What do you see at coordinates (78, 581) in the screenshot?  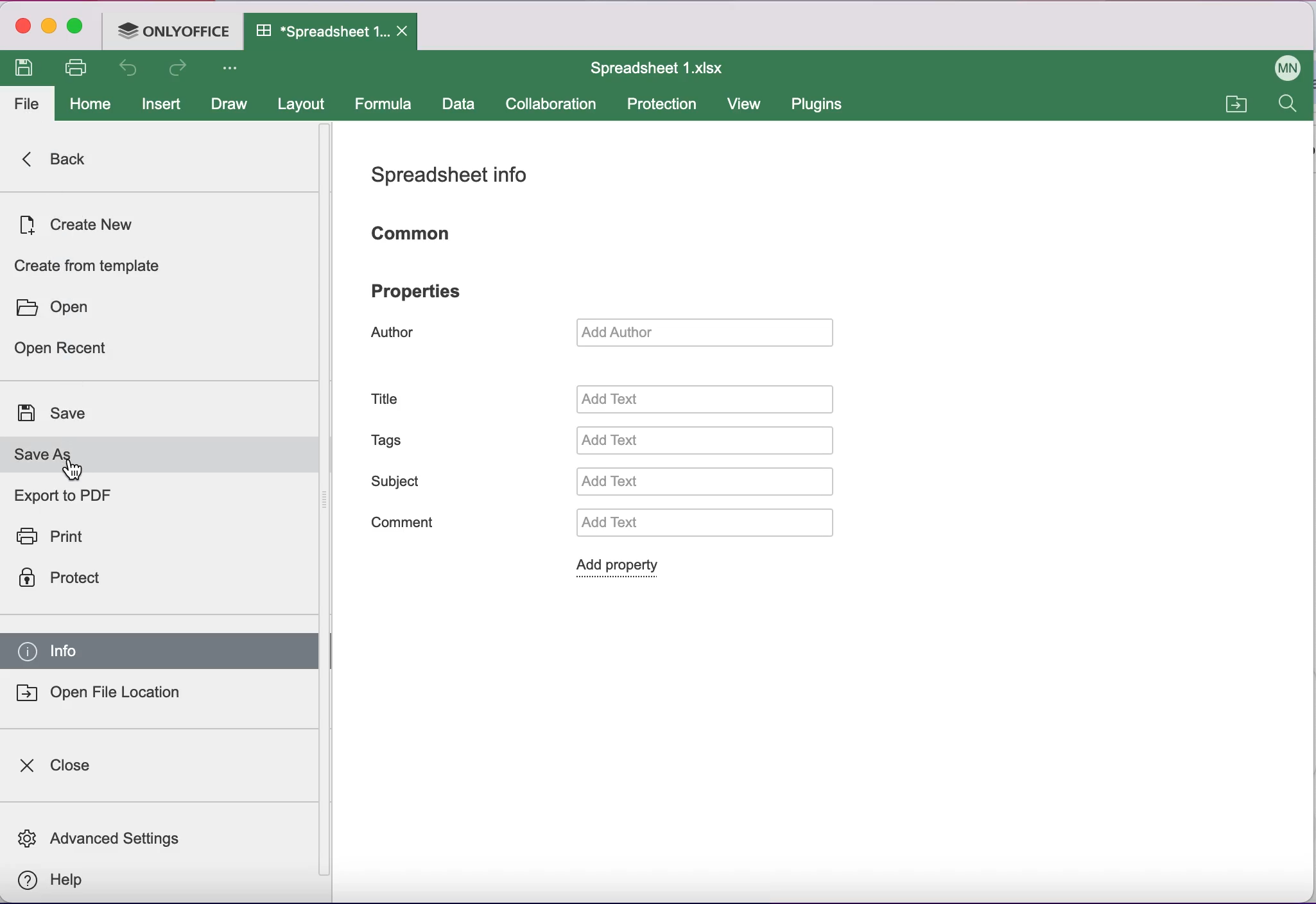 I see `protect` at bounding box center [78, 581].